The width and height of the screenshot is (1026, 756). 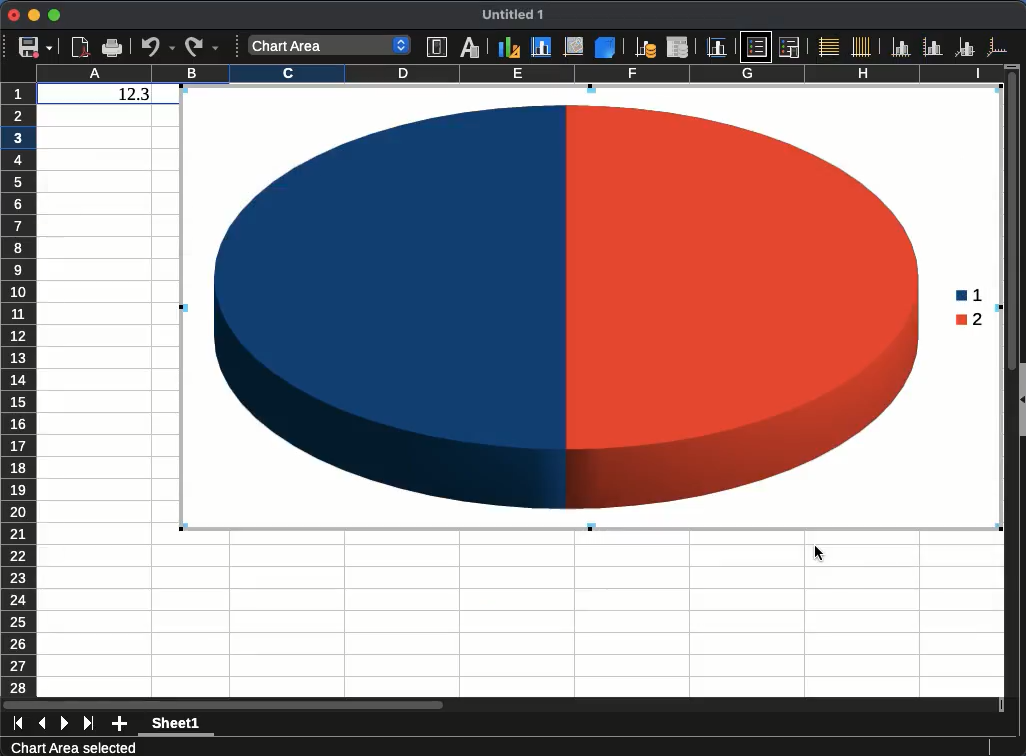 I want to click on Sheet1, so click(x=176, y=725).